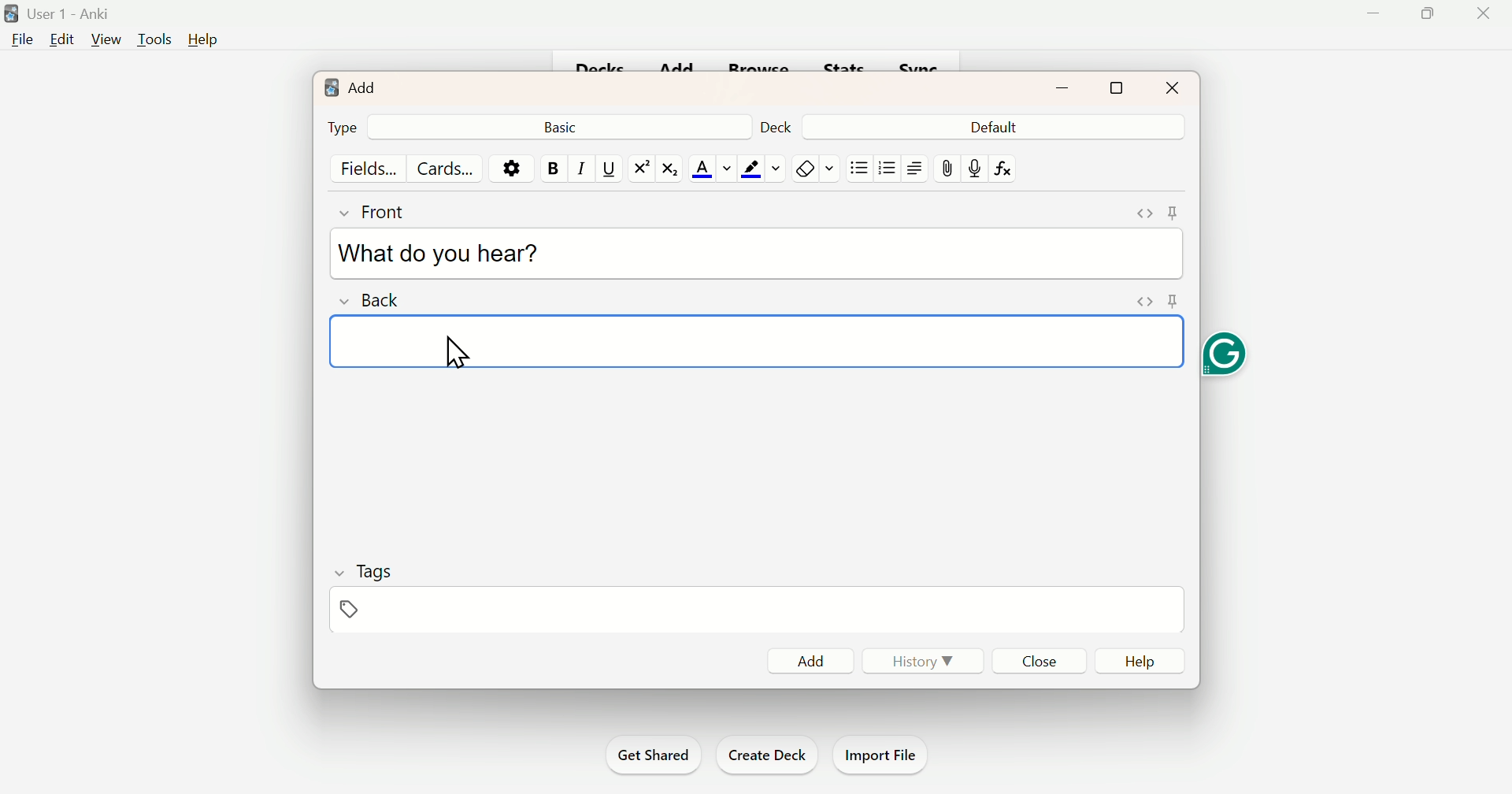 The width and height of the screenshot is (1512, 794). What do you see at coordinates (343, 126) in the screenshot?
I see `Type` at bounding box center [343, 126].